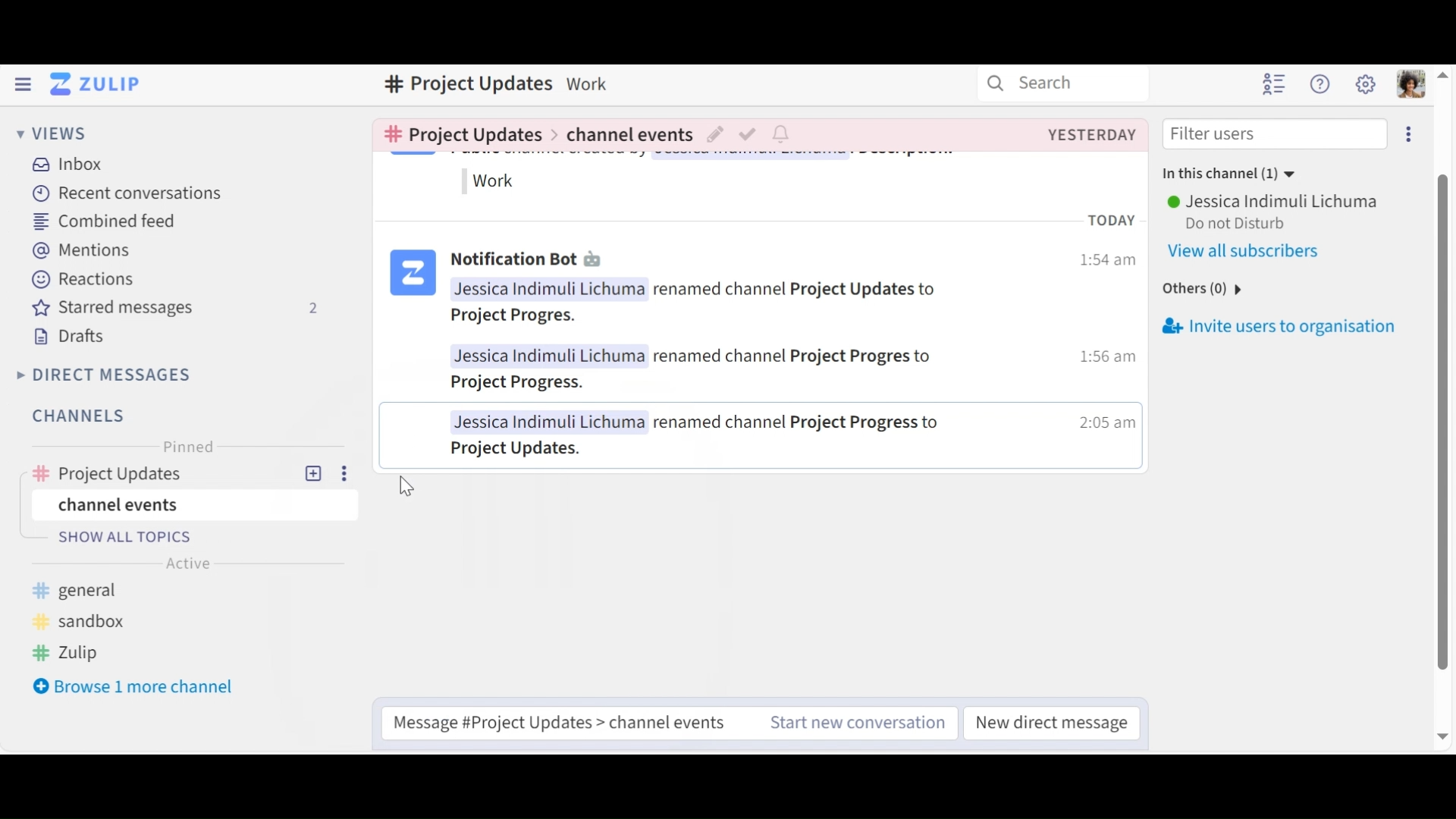  Describe the element at coordinates (65, 166) in the screenshot. I see `Inbox` at that location.